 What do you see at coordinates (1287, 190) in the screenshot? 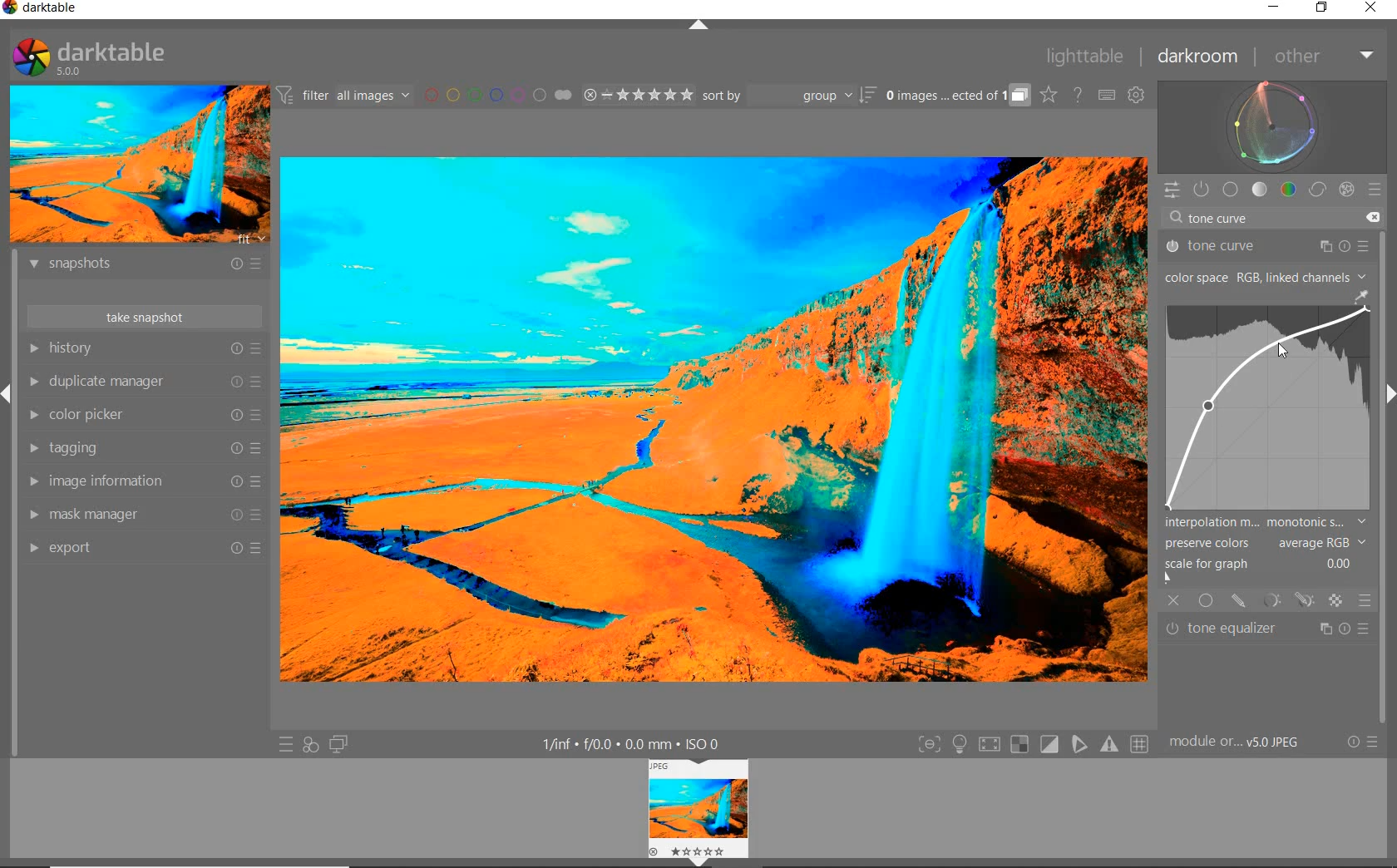
I see `color` at bounding box center [1287, 190].